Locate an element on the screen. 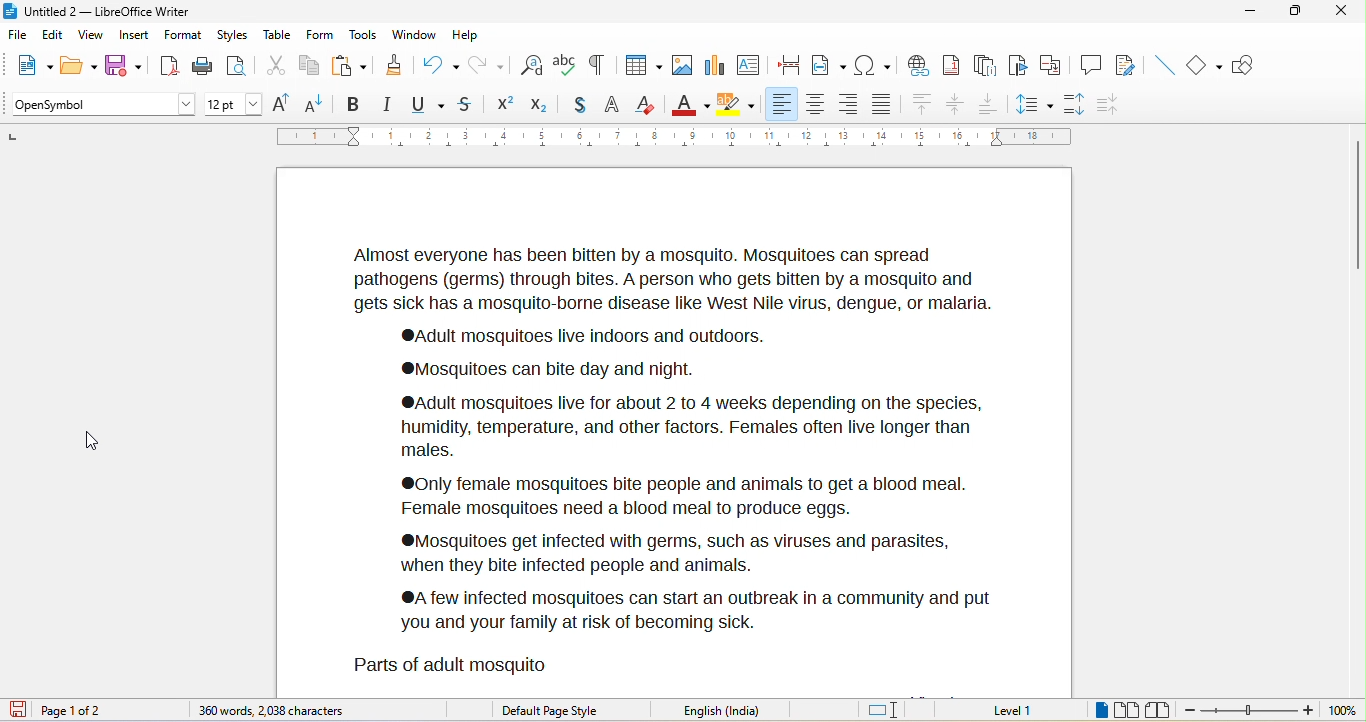  new is located at coordinates (26, 65).